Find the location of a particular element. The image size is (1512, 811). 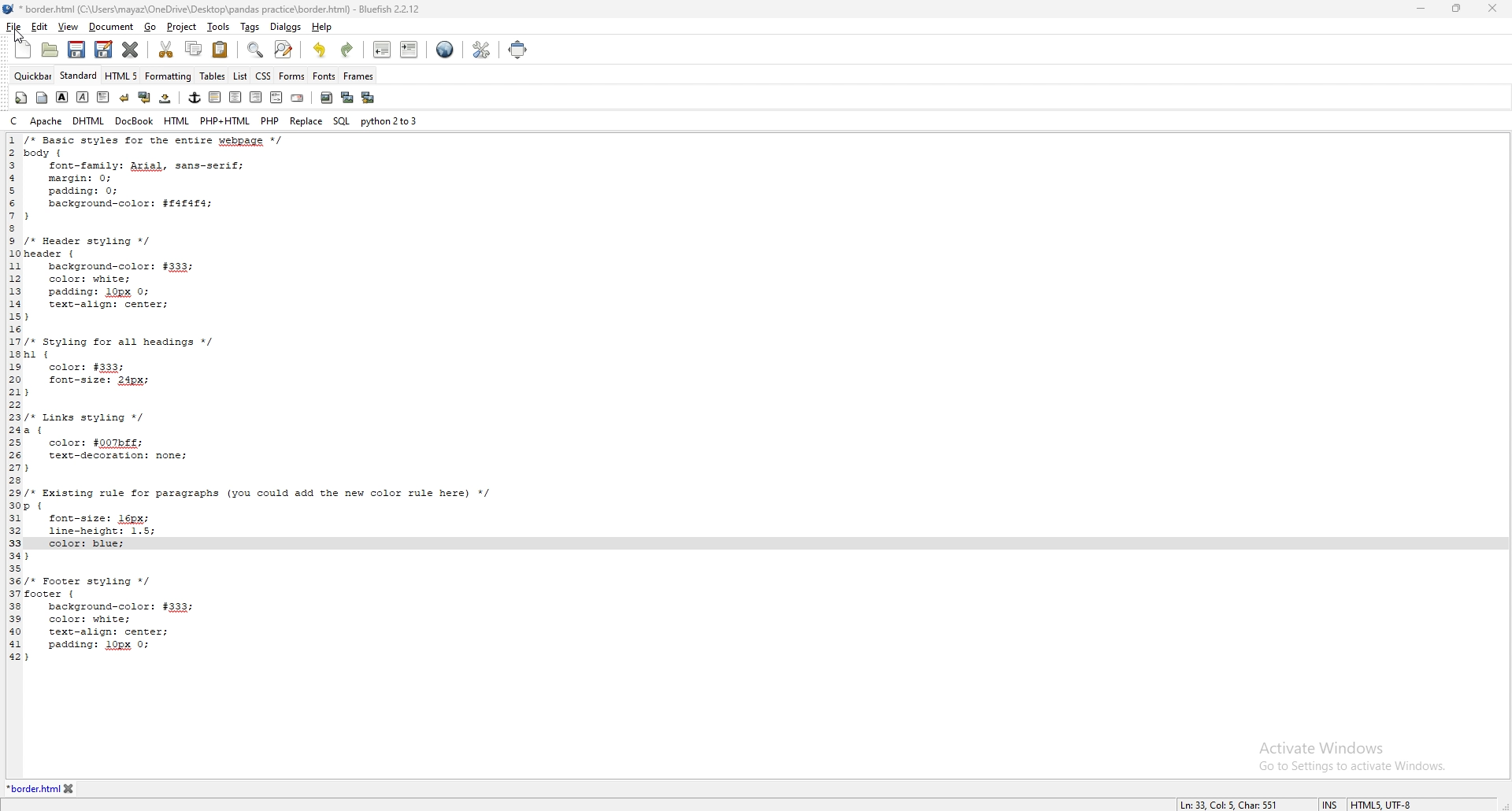

go is located at coordinates (151, 26).